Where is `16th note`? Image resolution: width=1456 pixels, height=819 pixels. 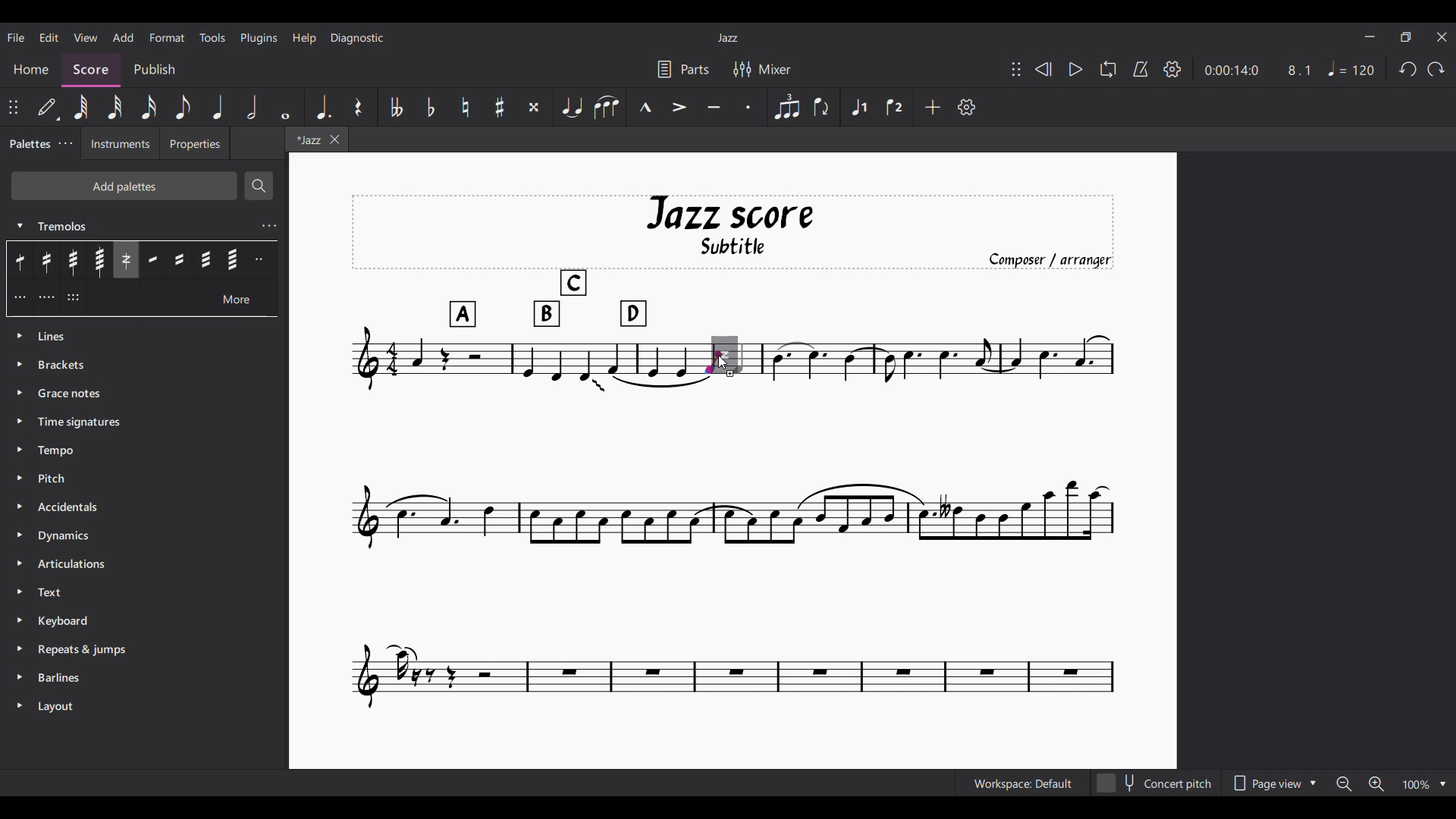 16th note is located at coordinates (148, 107).